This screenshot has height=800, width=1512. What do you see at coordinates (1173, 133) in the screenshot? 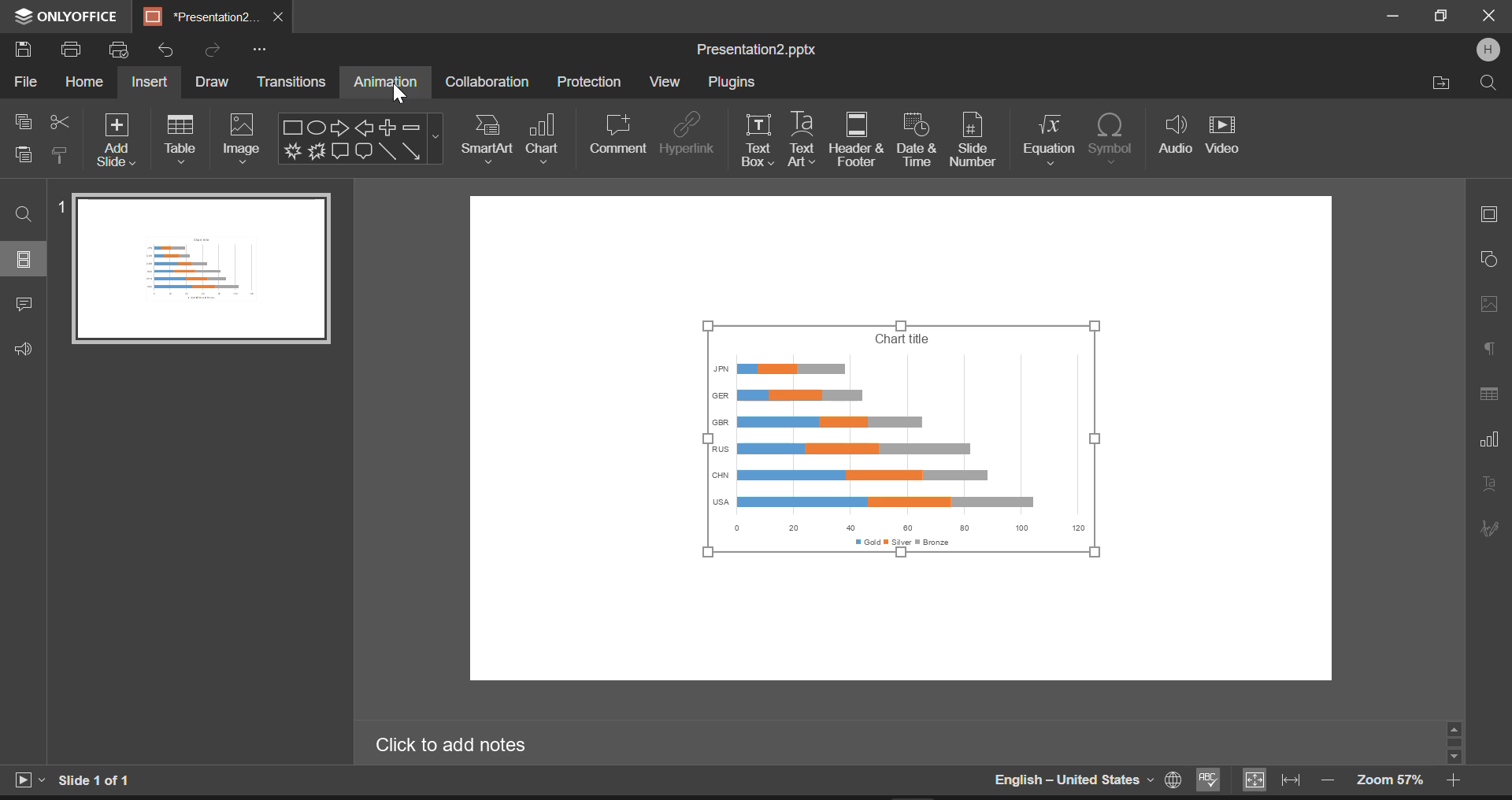
I see `Audio` at bounding box center [1173, 133].